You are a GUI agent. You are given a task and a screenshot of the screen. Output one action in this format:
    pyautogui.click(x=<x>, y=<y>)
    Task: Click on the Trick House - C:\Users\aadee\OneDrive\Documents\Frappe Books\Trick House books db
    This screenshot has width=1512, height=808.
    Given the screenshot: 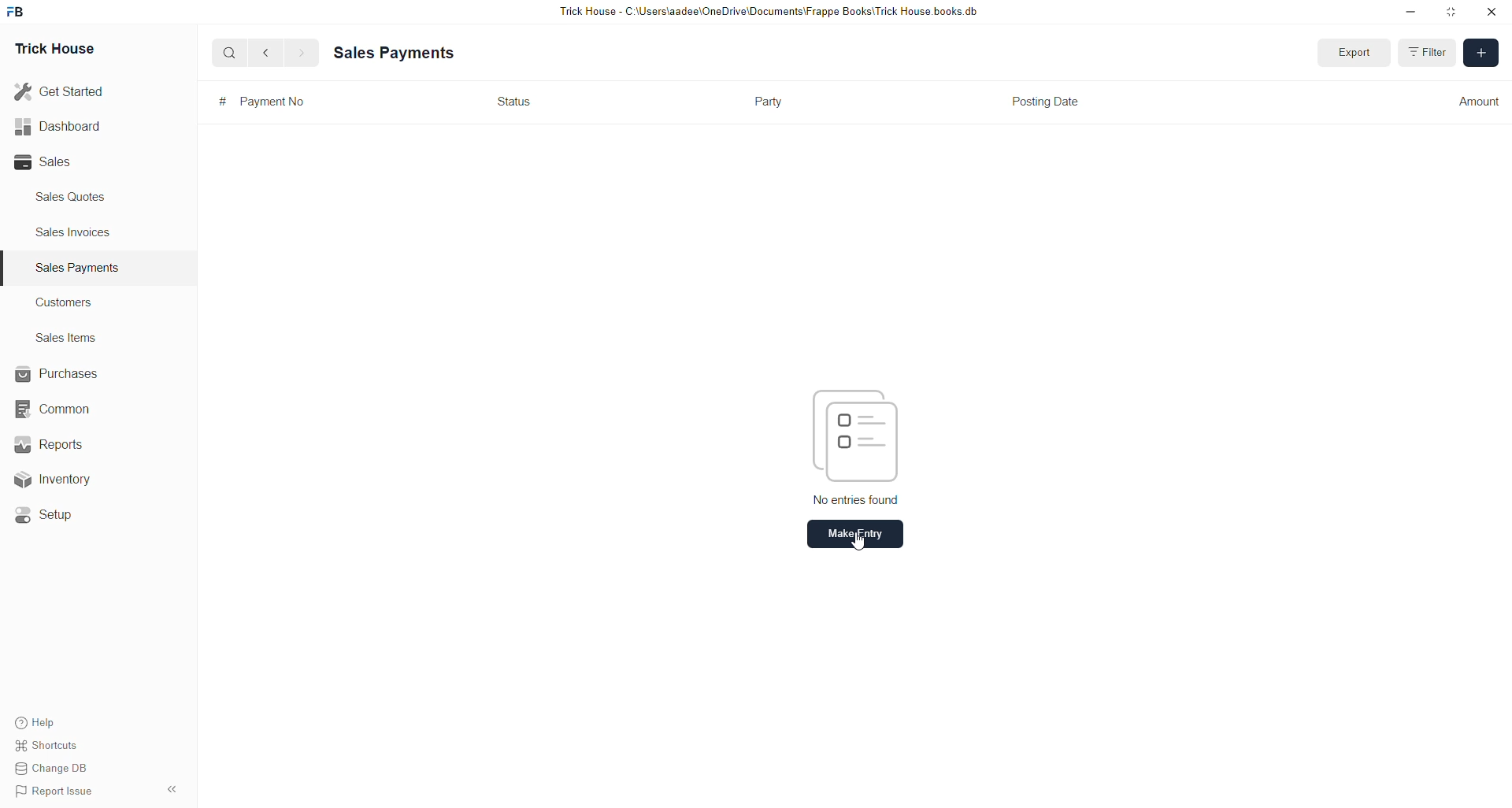 What is the action you would take?
    pyautogui.click(x=770, y=12)
    